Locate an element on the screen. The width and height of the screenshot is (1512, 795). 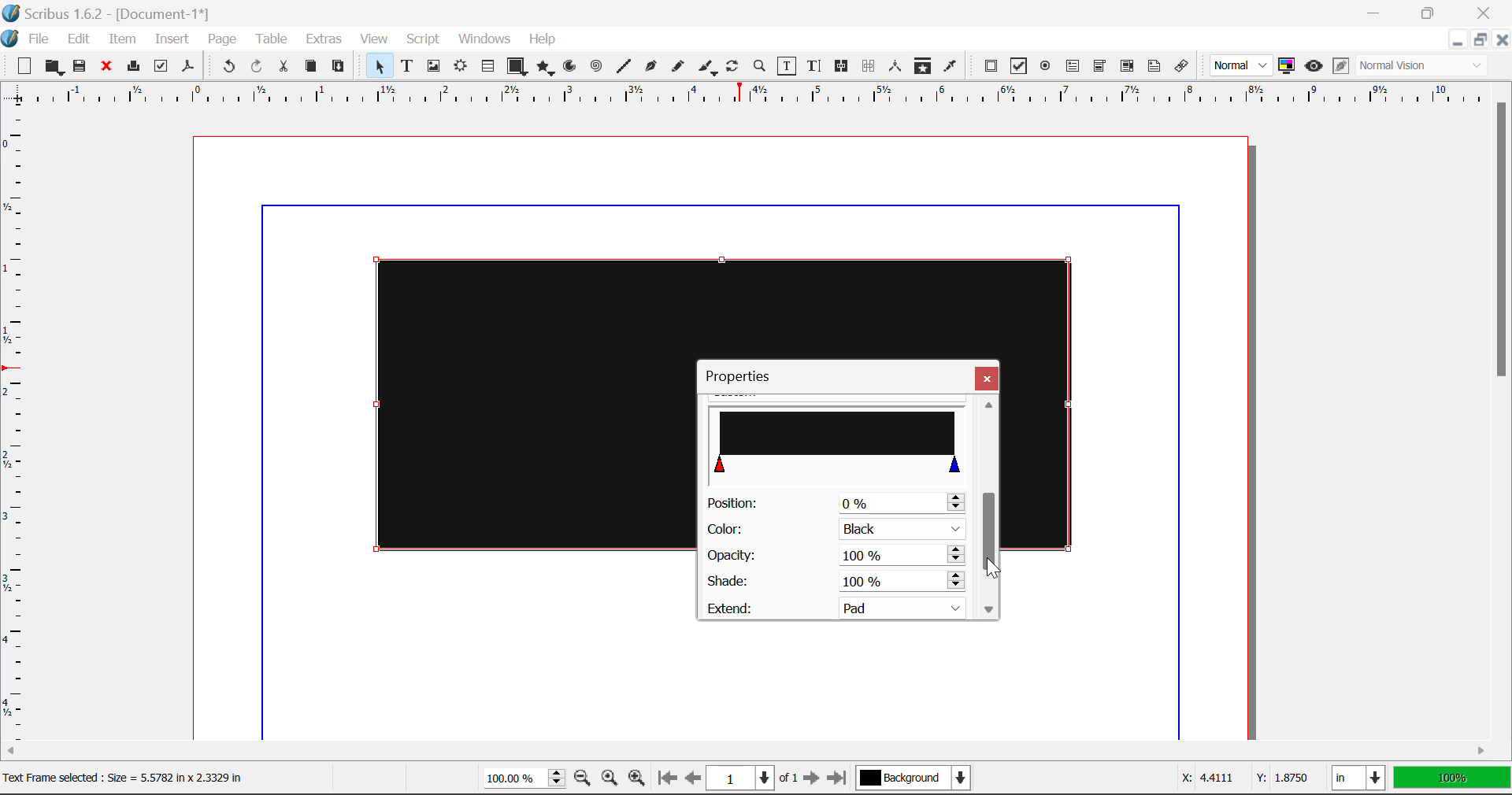
Save is located at coordinates (81, 67).